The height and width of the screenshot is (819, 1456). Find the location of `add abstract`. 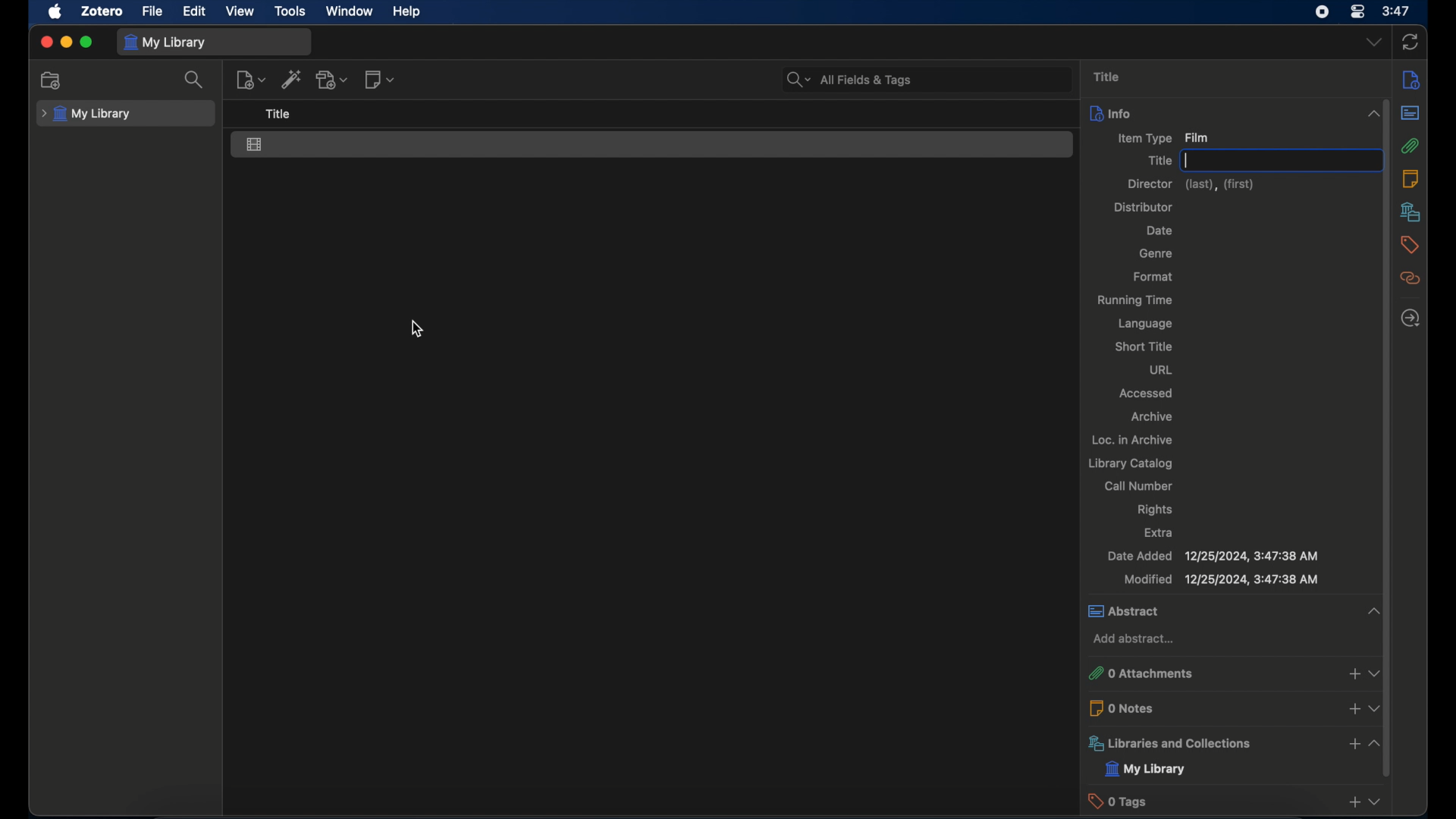

add abstract is located at coordinates (1133, 639).